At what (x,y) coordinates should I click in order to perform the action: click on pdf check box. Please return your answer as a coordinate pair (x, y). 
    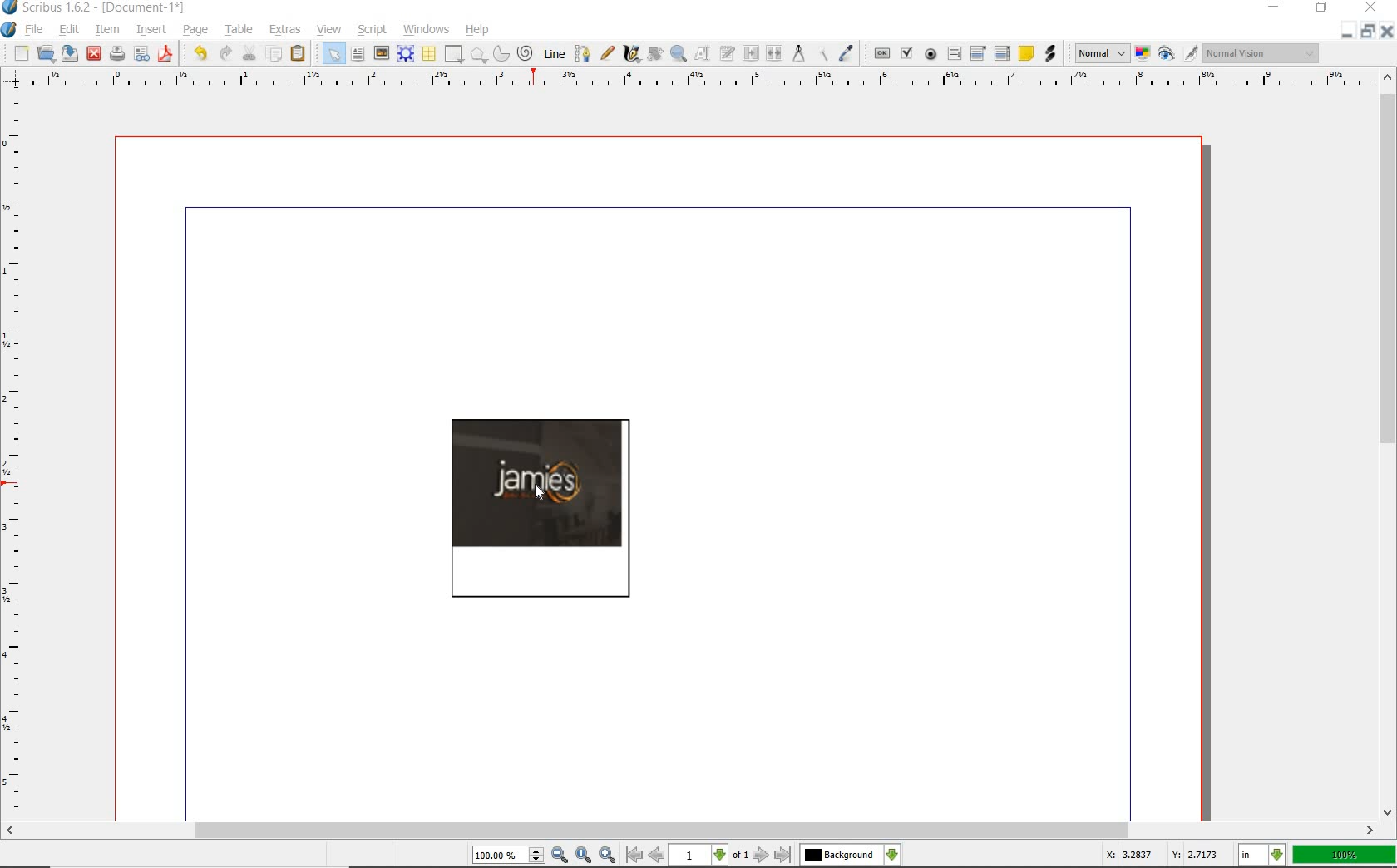
    Looking at the image, I should click on (906, 53).